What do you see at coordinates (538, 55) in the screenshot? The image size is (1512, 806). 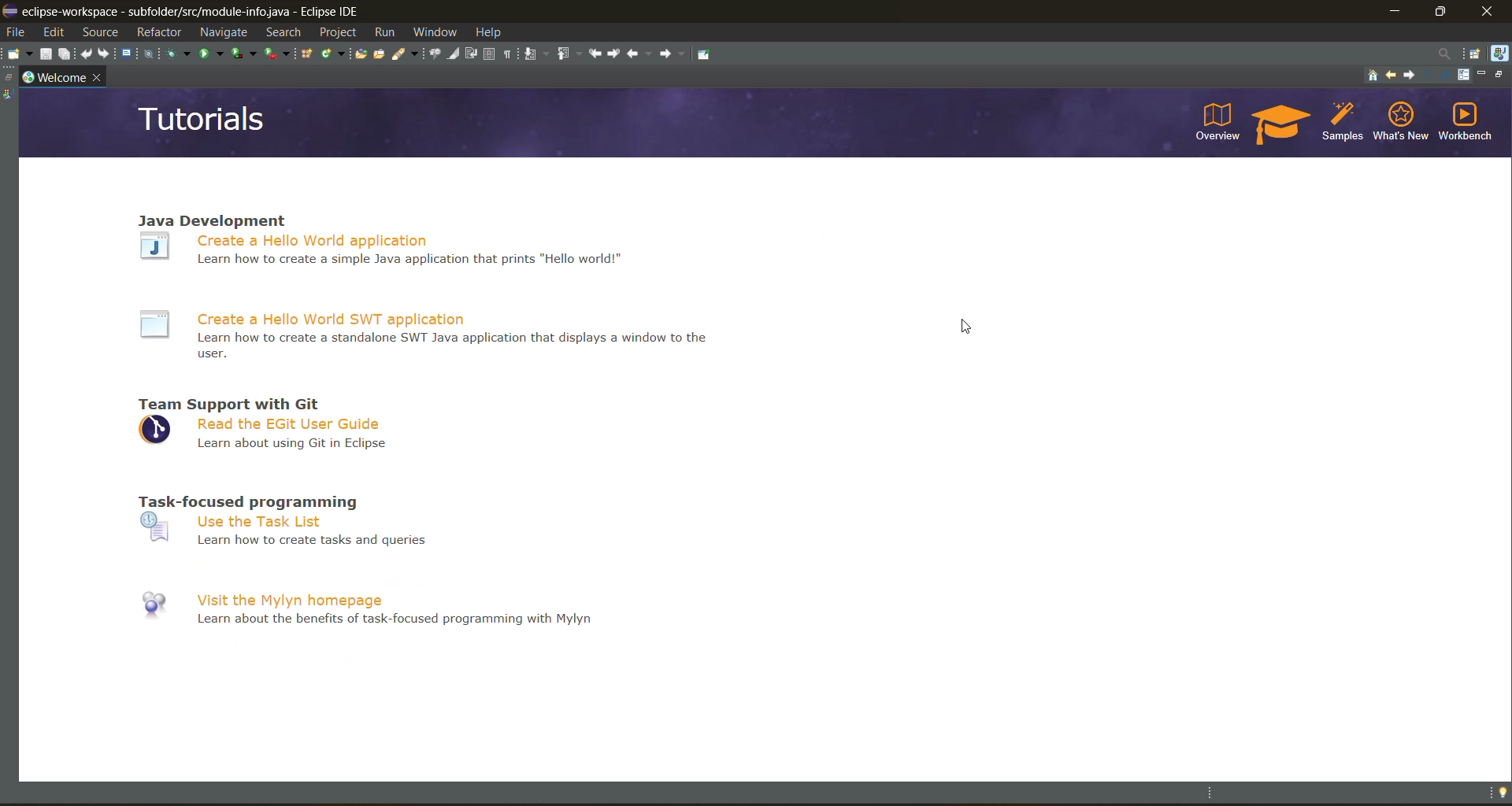 I see `next annotation` at bounding box center [538, 55].